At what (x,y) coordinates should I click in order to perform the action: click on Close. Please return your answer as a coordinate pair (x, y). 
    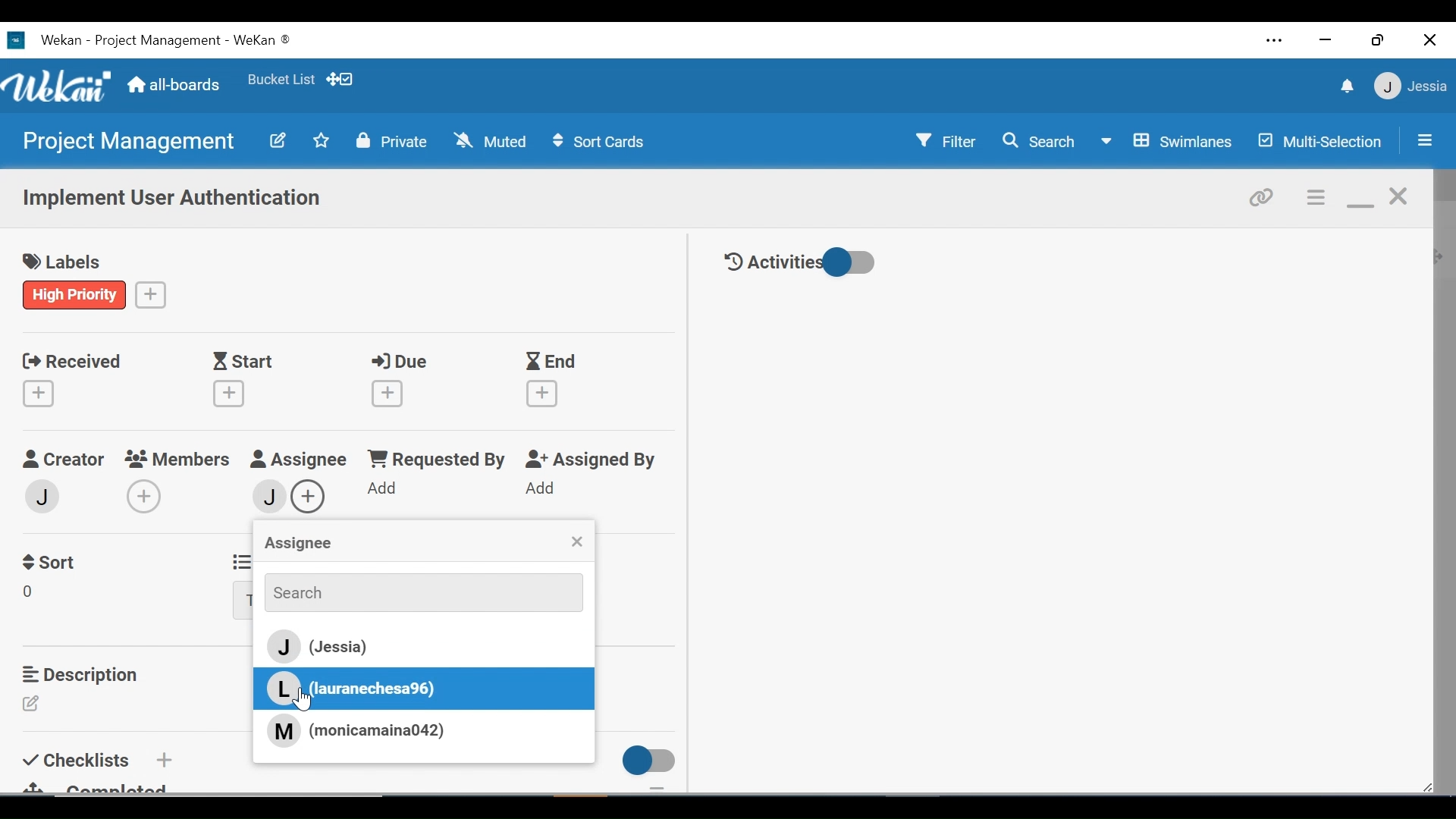
    Looking at the image, I should click on (1431, 39).